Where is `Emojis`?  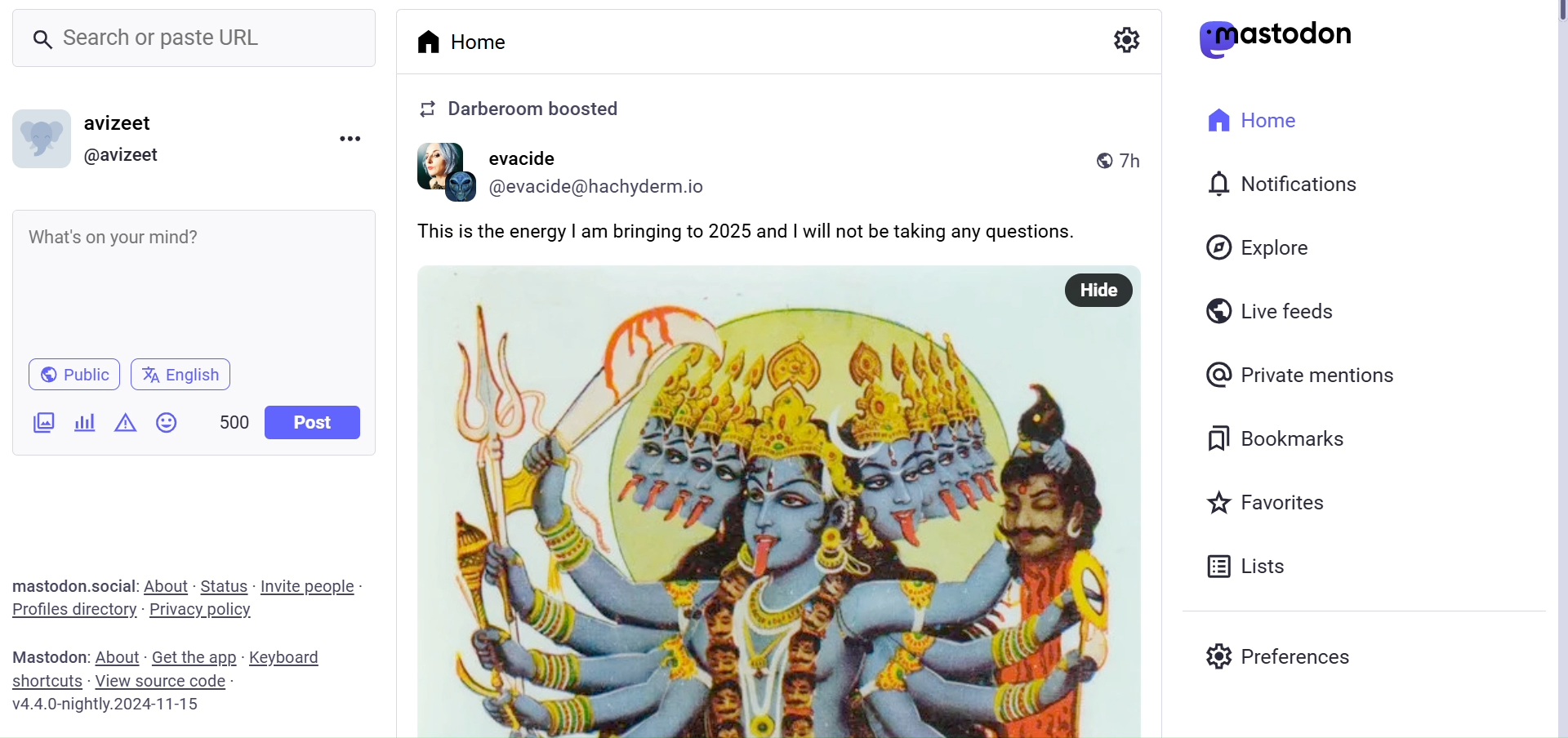 Emojis is located at coordinates (168, 420).